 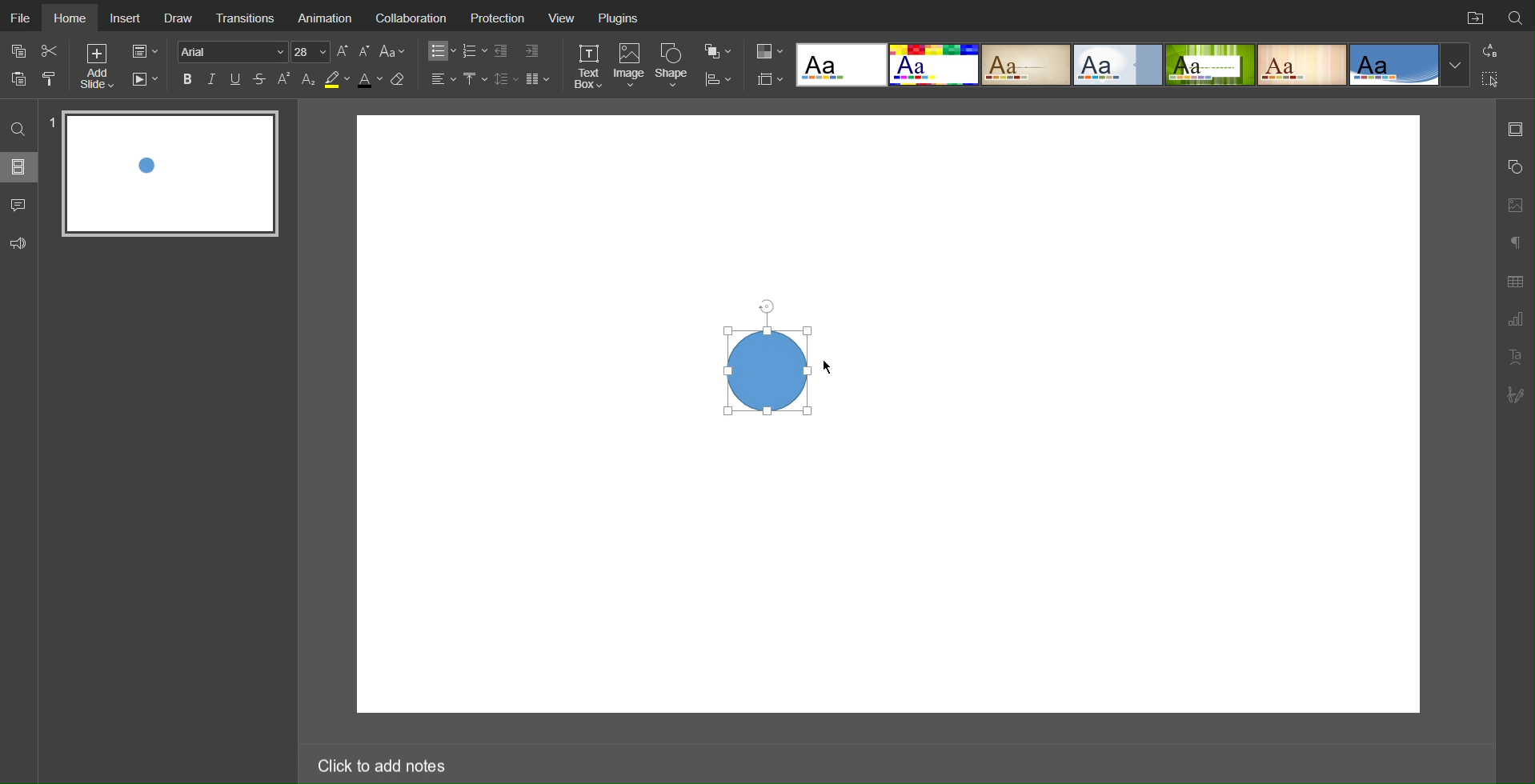 I want to click on Shape Settings, so click(x=1514, y=167).